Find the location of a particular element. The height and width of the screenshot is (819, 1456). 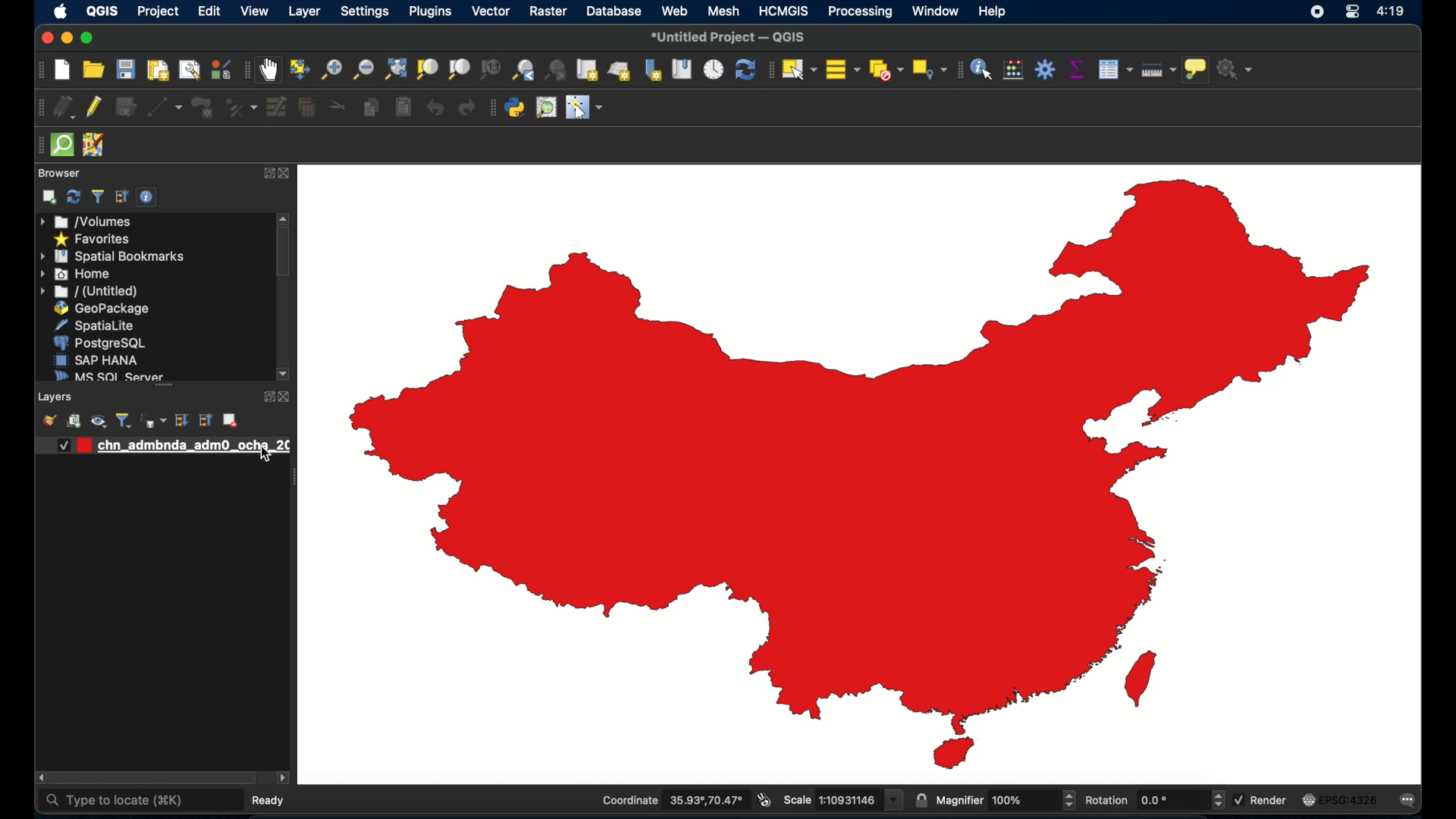

4:19 is located at coordinates (1392, 11).